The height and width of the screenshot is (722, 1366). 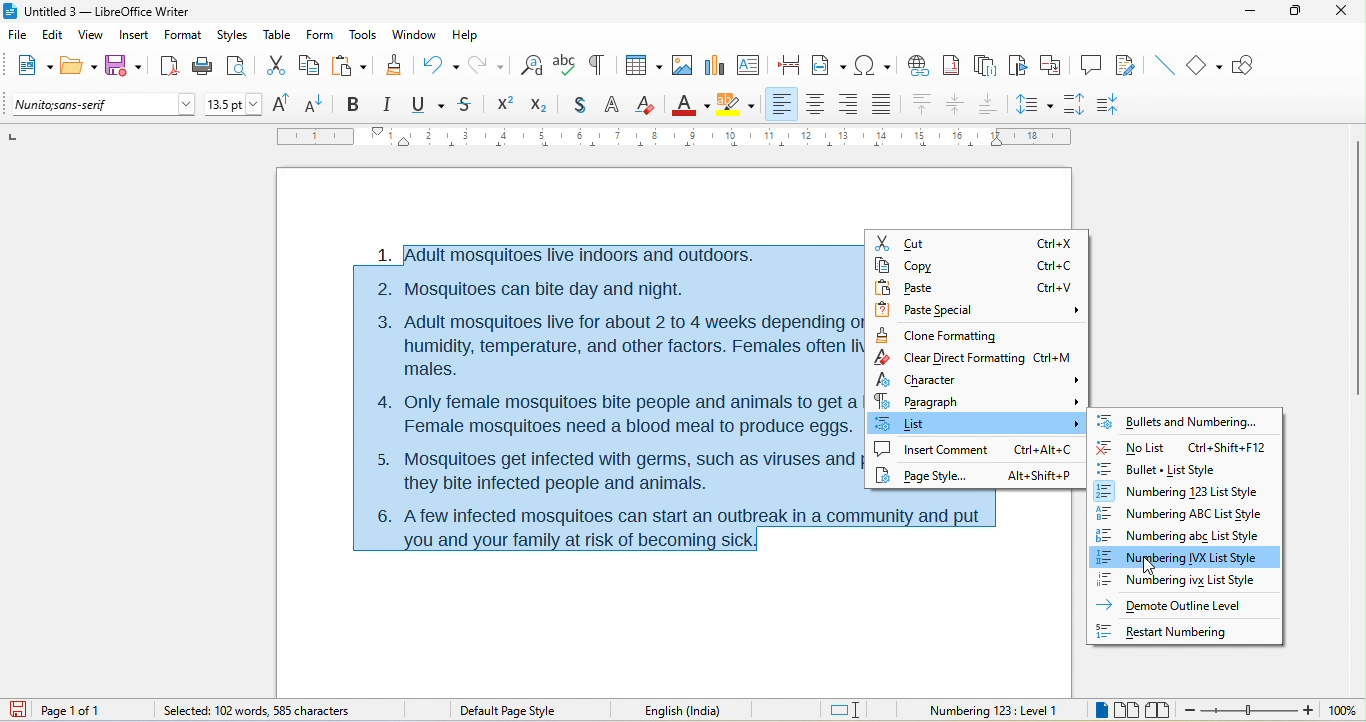 I want to click on numbering 123 list style, so click(x=1186, y=492).